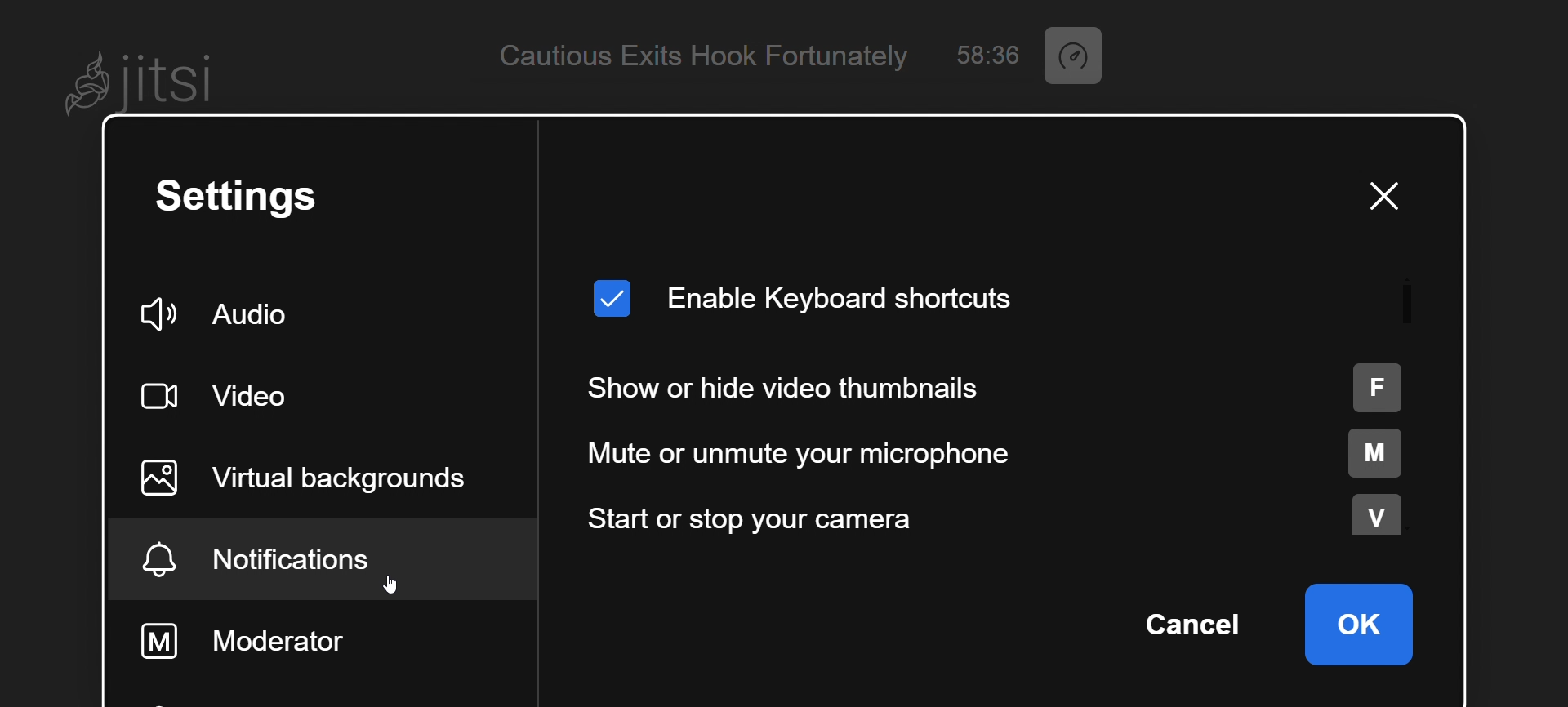 This screenshot has width=1568, height=707. Describe the element at coordinates (256, 197) in the screenshot. I see `setting` at that location.